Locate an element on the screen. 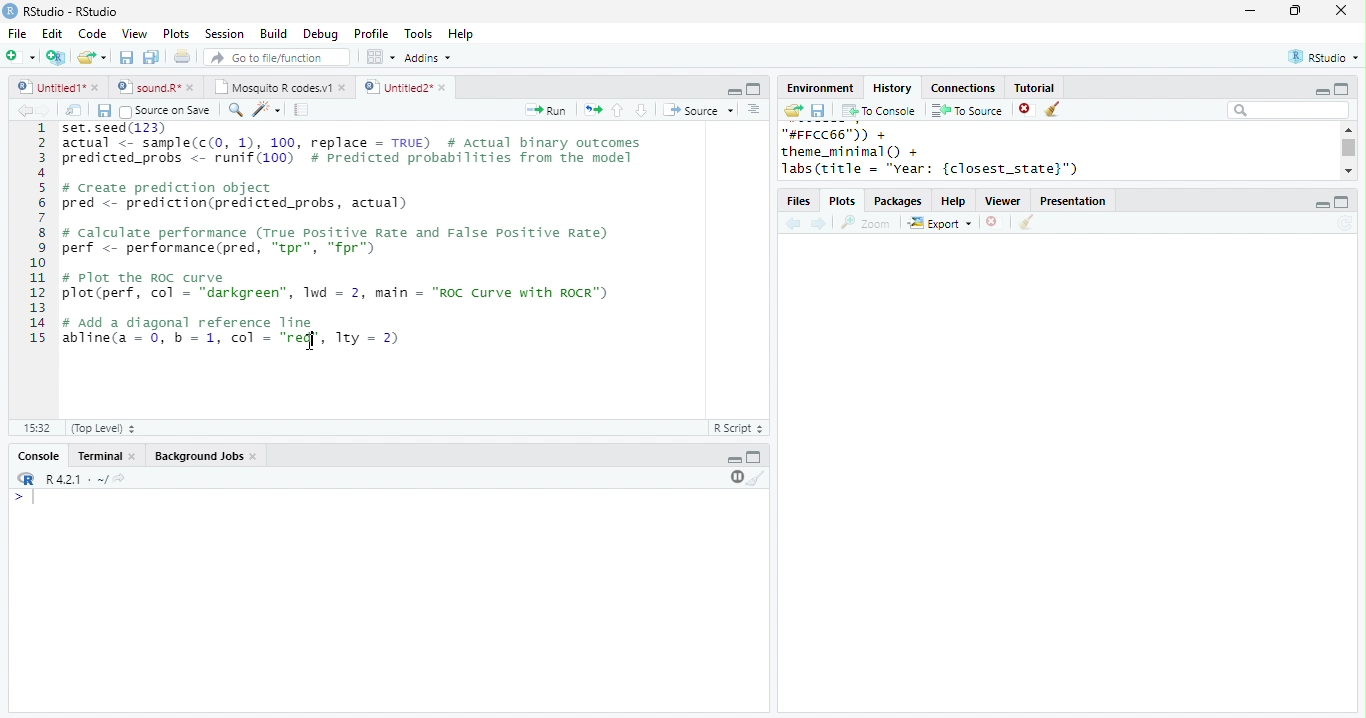 This screenshot has height=718, width=1366. refresh is located at coordinates (1345, 223).